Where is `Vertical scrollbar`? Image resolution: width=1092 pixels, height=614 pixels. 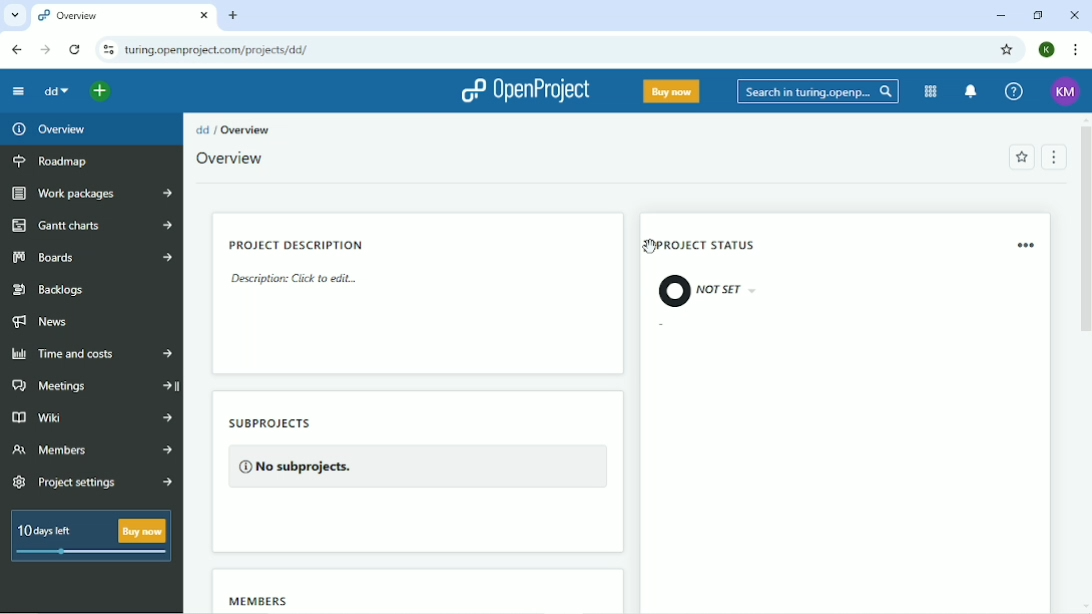 Vertical scrollbar is located at coordinates (1085, 232).